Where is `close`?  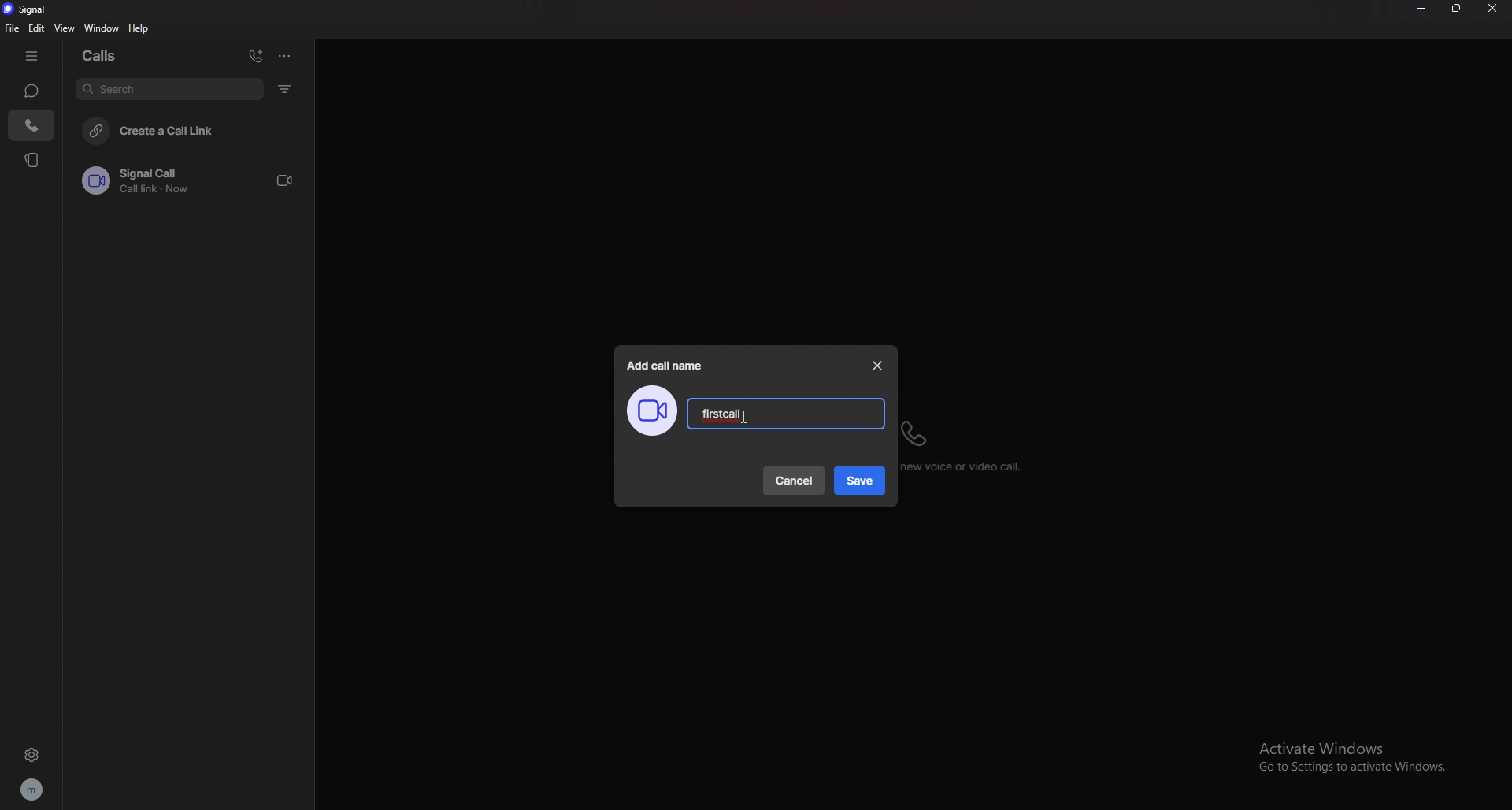
close is located at coordinates (1492, 9).